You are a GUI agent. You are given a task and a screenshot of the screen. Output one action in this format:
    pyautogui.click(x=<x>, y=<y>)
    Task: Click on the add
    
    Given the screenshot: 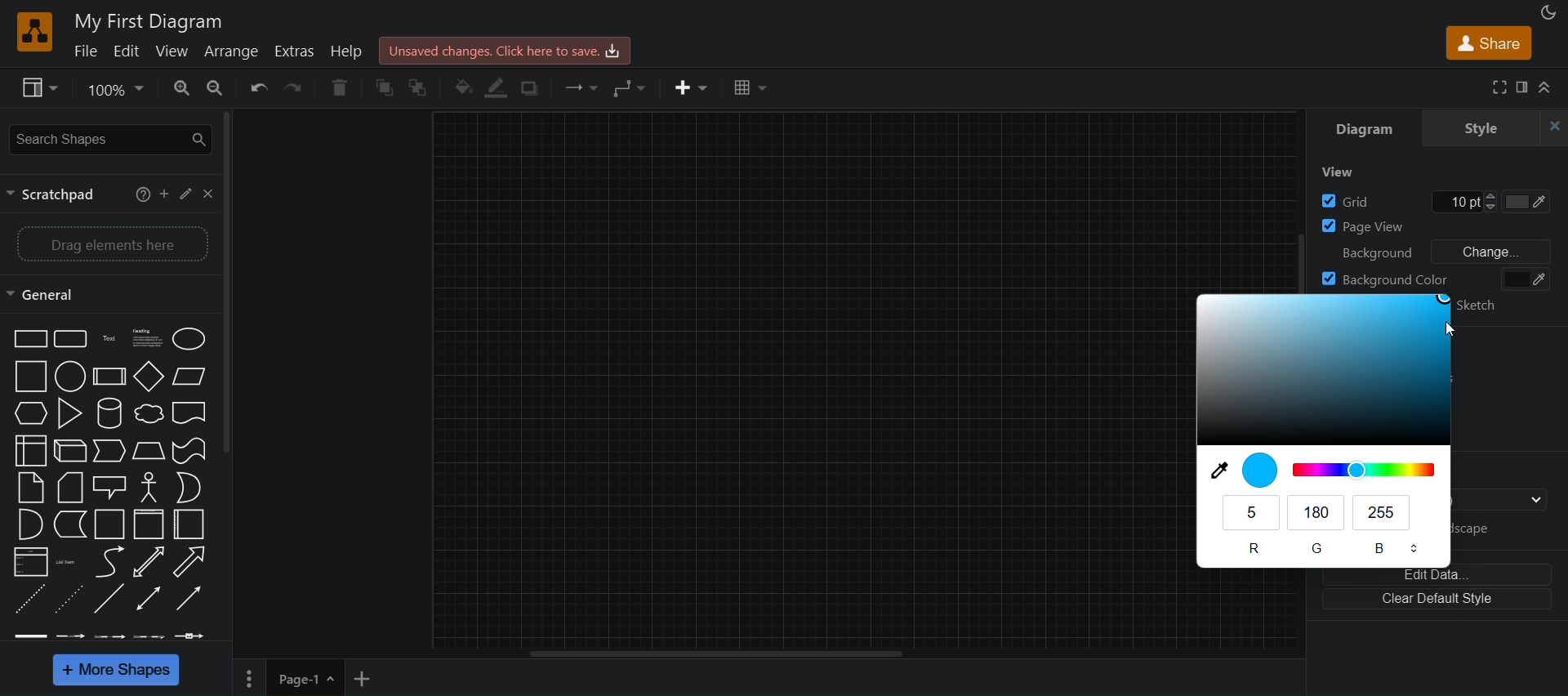 What is the action you would take?
    pyautogui.click(x=166, y=196)
    